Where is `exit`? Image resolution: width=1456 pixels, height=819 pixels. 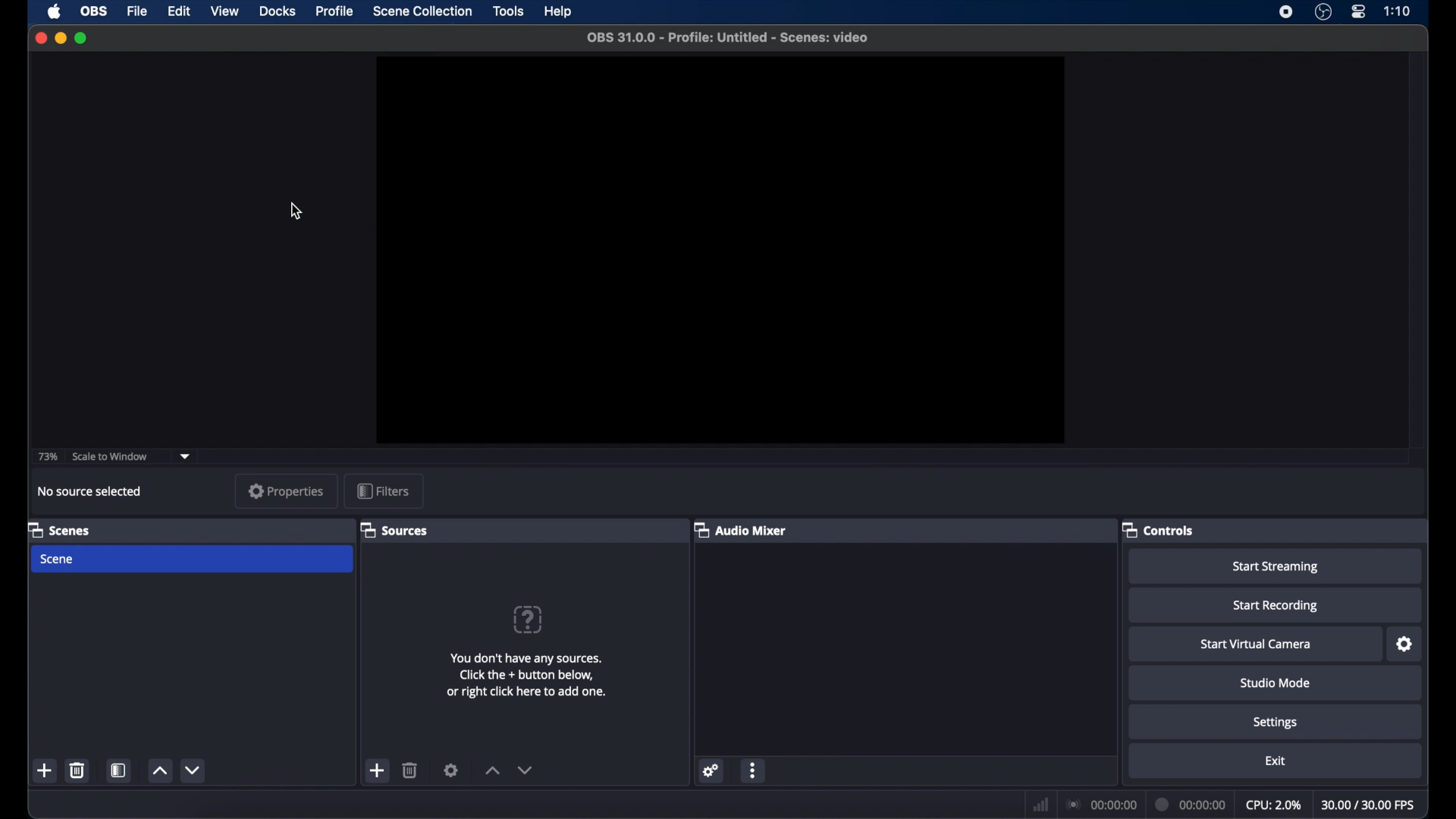
exit is located at coordinates (1275, 760).